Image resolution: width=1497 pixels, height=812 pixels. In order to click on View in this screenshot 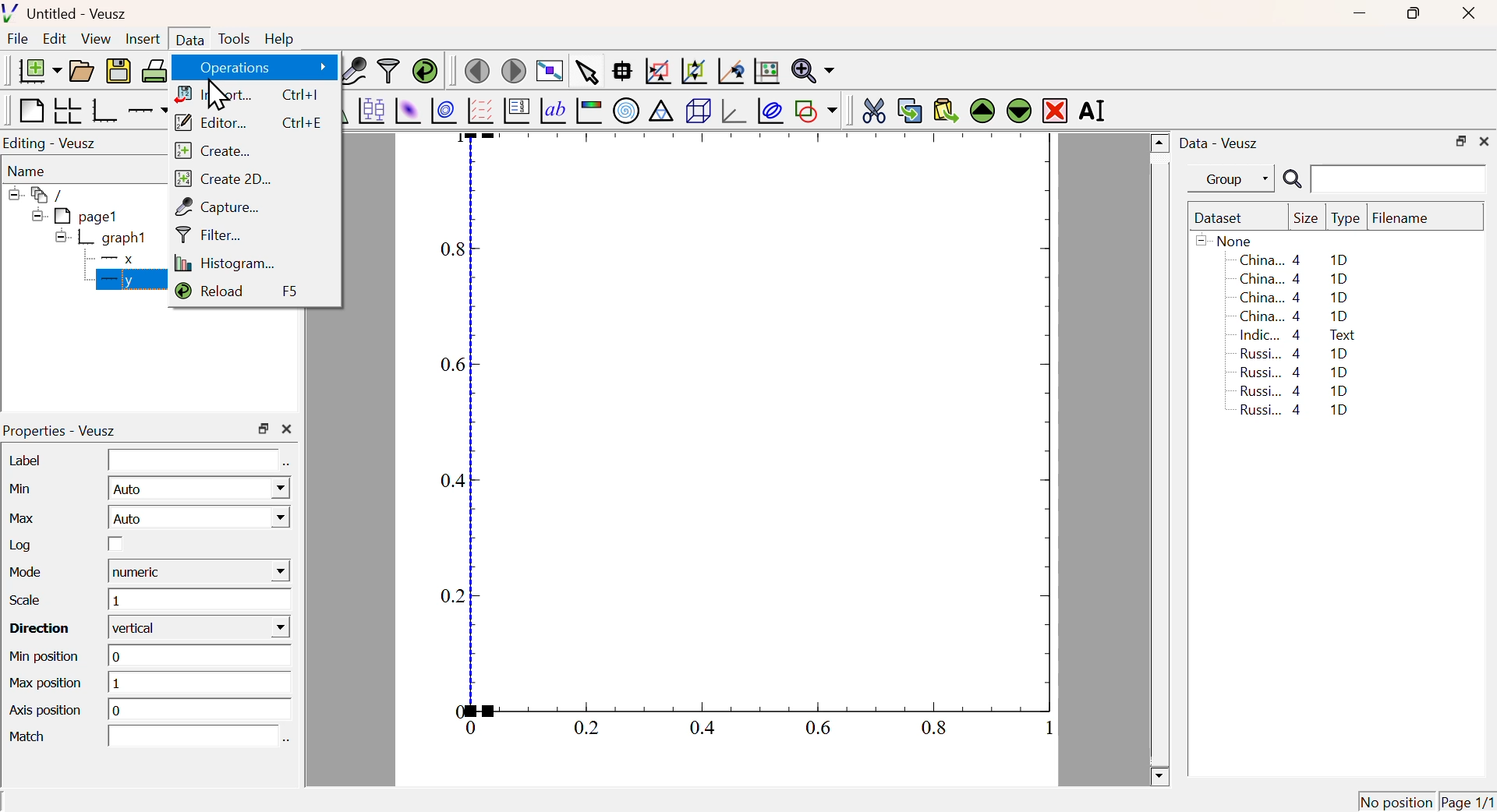, I will do `click(95, 40)`.